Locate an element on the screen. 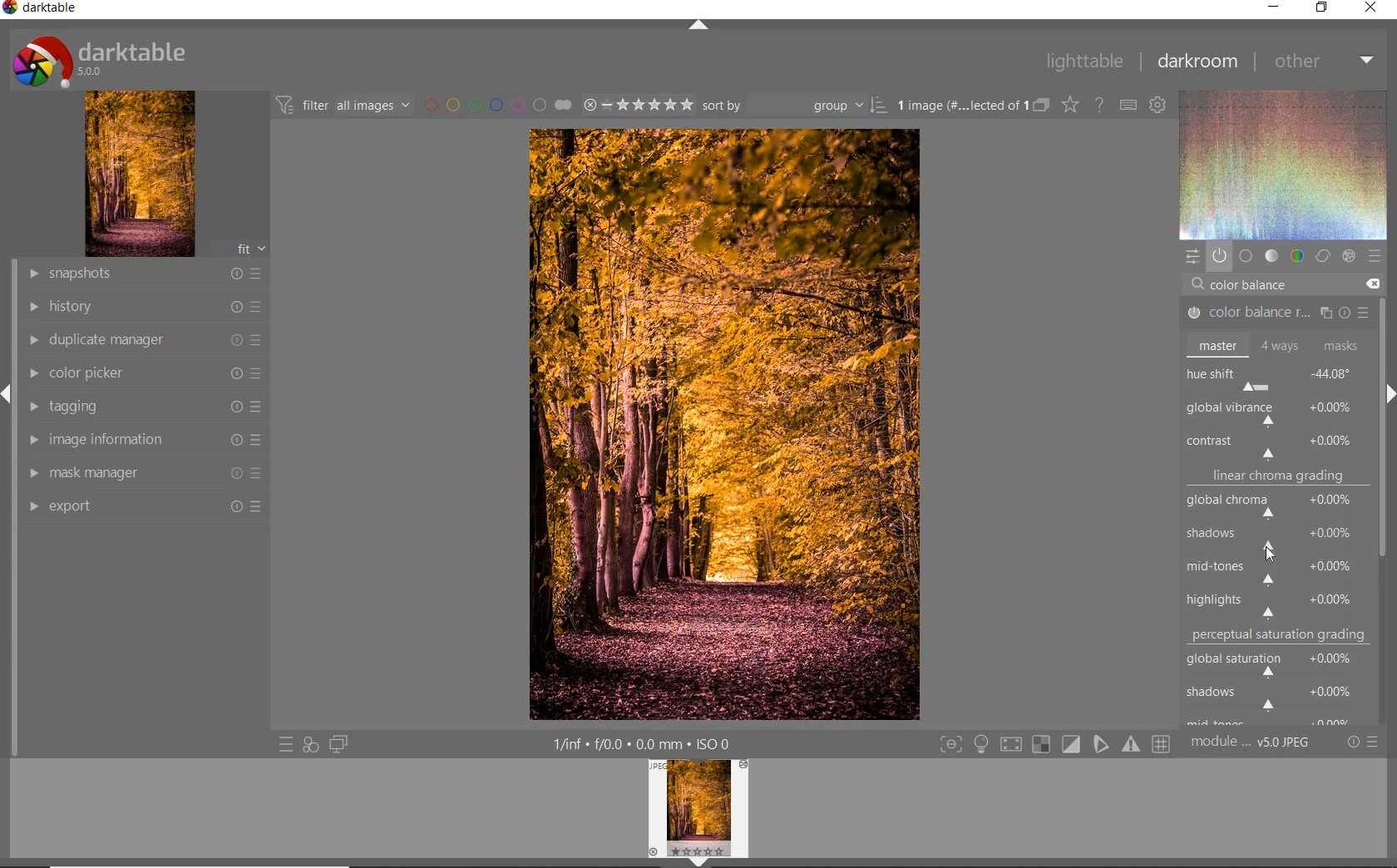  quick access panel is located at coordinates (1190, 256).